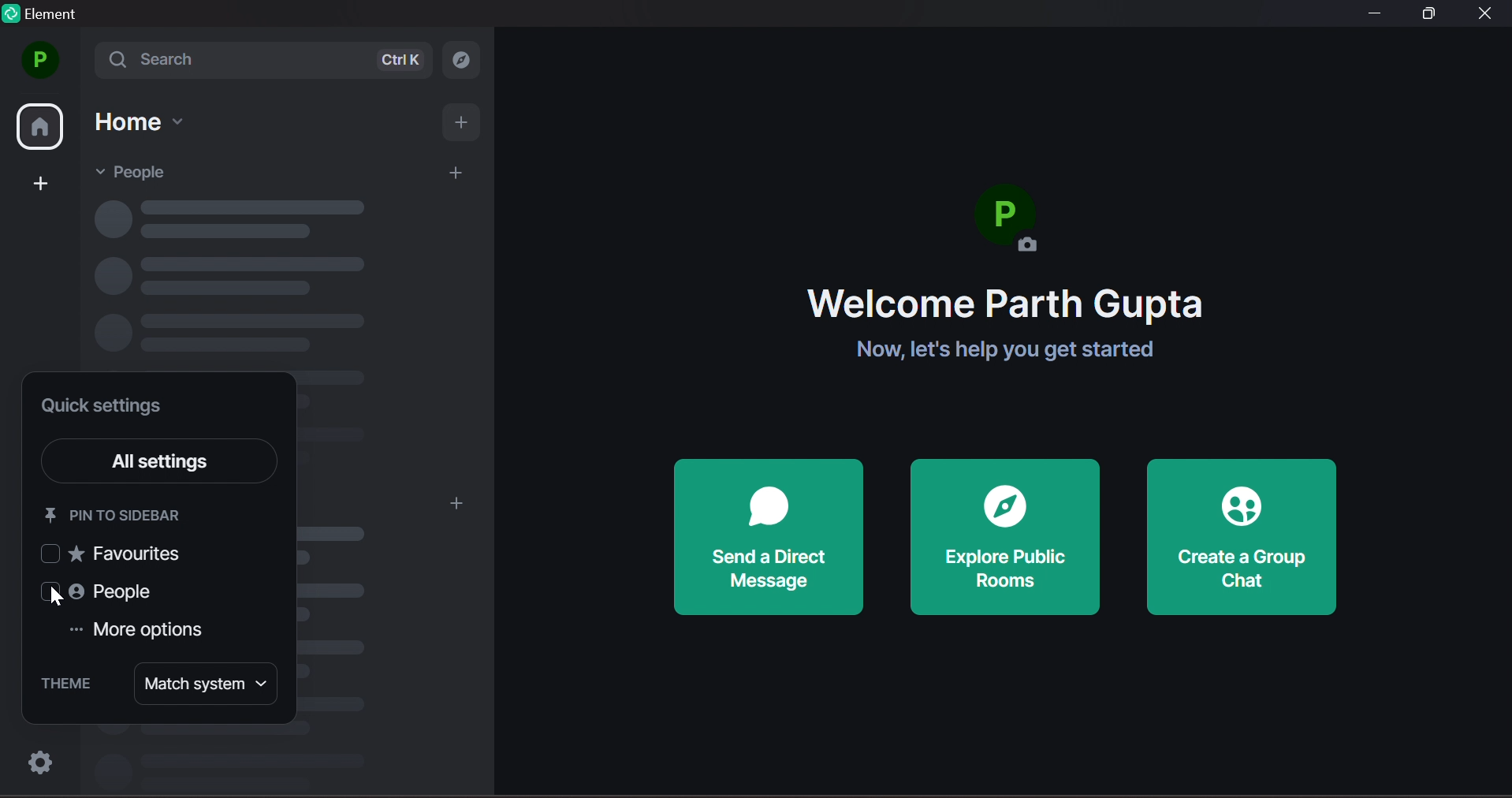 This screenshot has height=798, width=1512. What do you see at coordinates (35, 763) in the screenshot?
I see `settings` at bounding box center [35, 763].